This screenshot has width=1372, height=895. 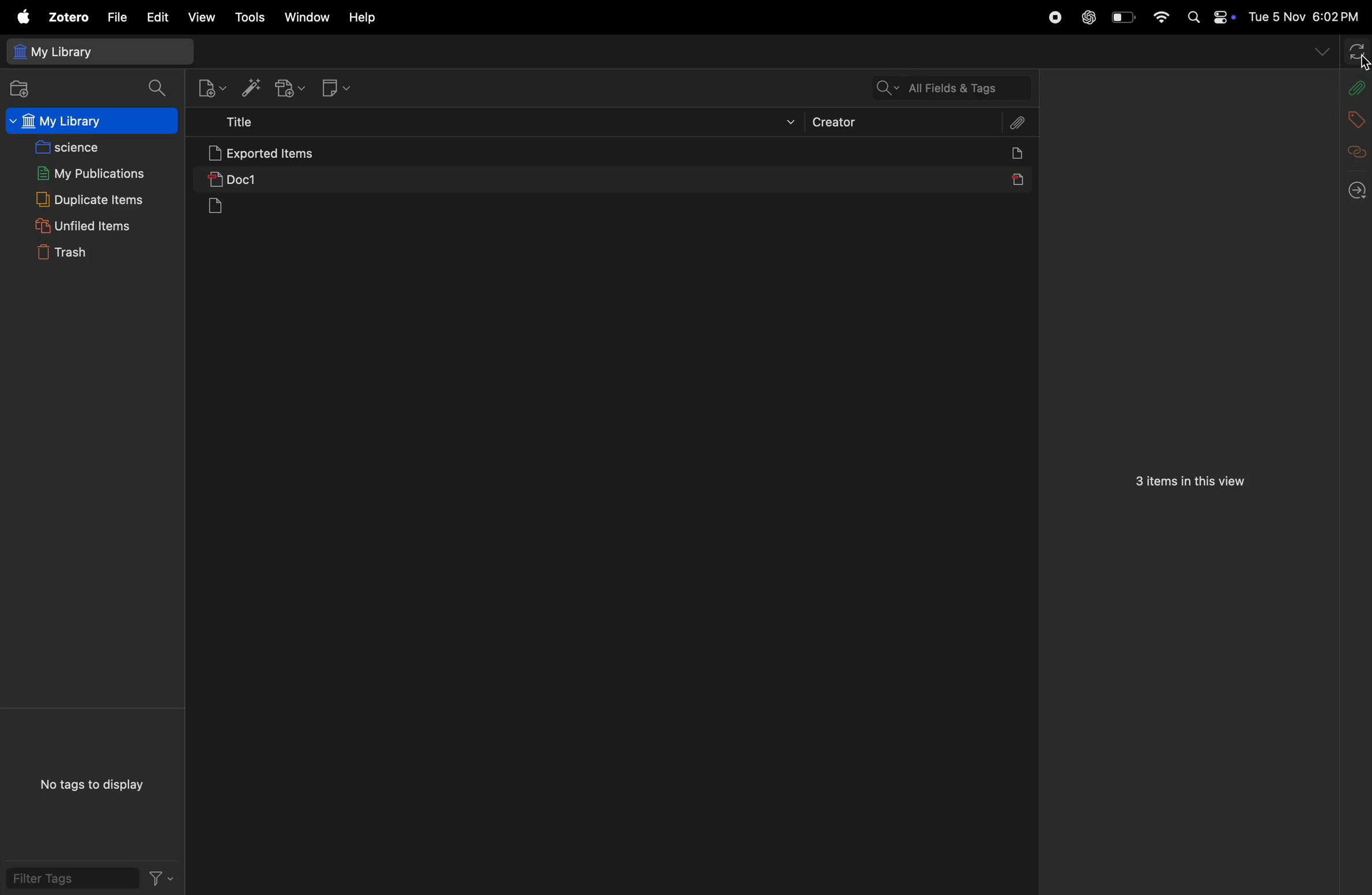 What do you see at coordinates (1192, 480) in the screenshot?
I see `3 items in a view` at bounding box center [1192, 480].